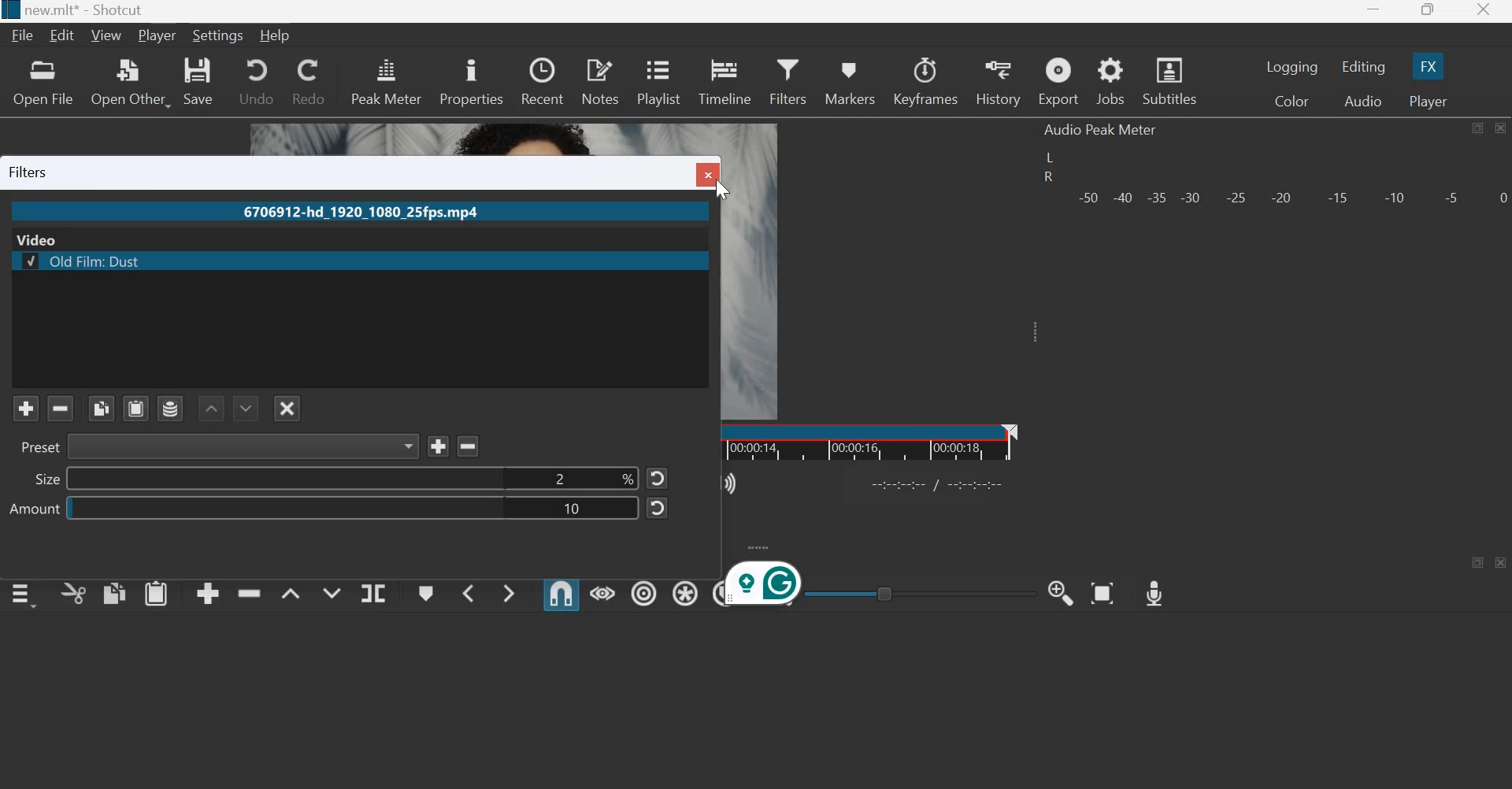 This screenshot has height=789, width=1512. I want to click on Move filter down, so click(246, 406).